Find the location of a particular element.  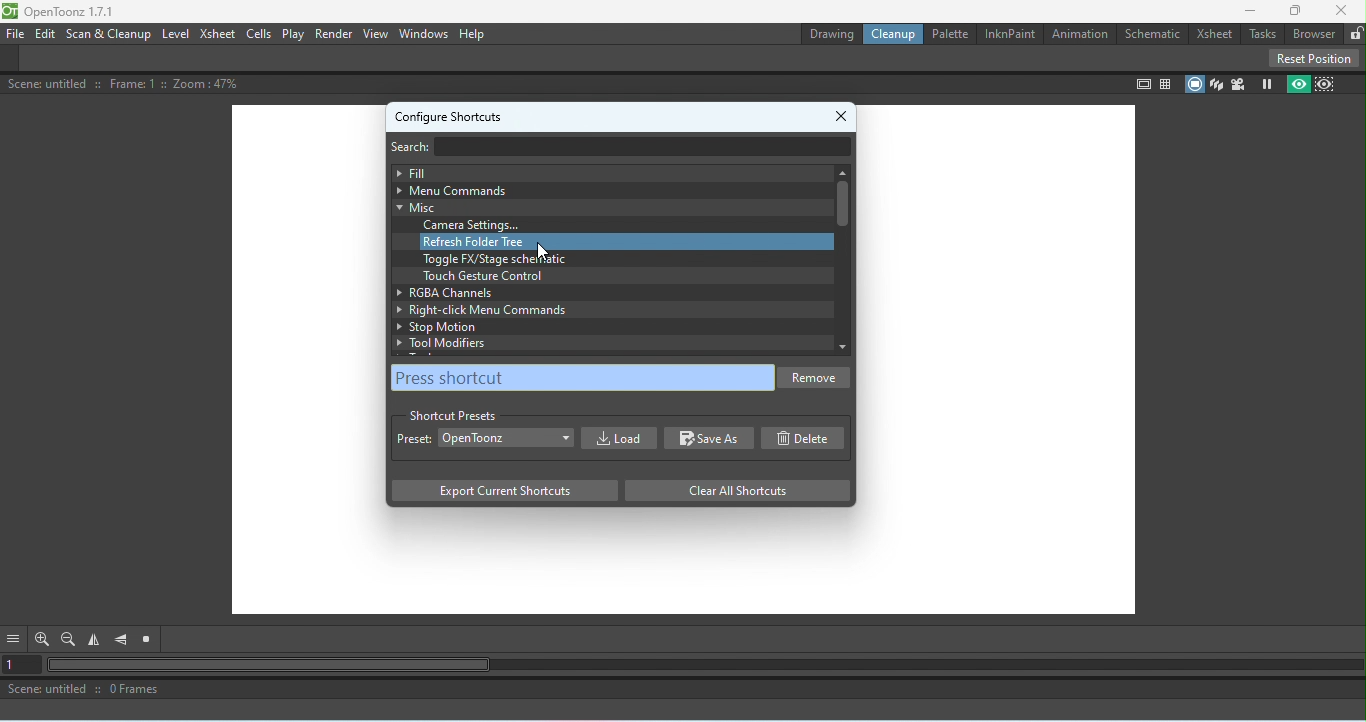

Maximize is located at coordinates (1297, 10).